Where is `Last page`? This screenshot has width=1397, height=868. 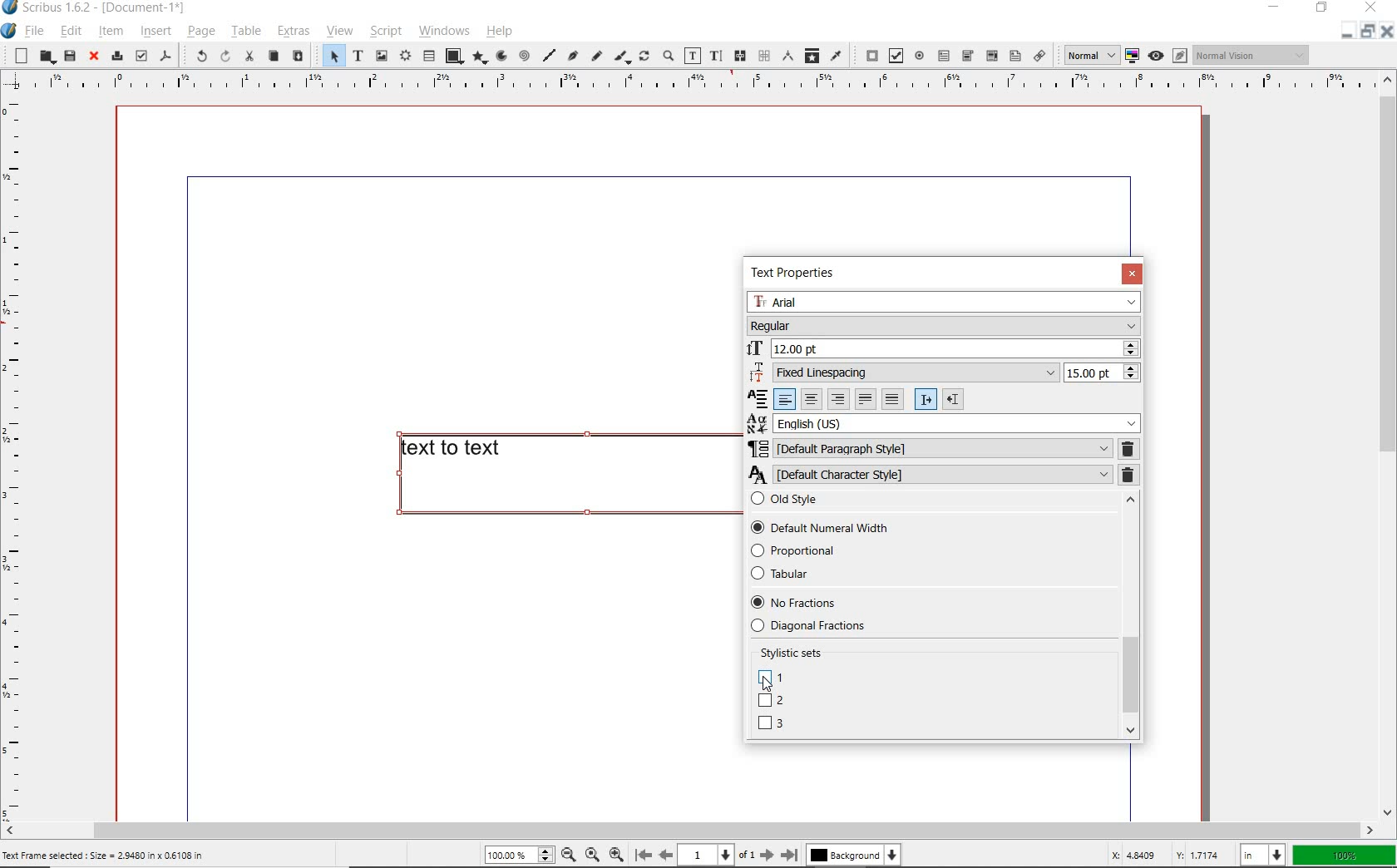 Last page is located at coordinates (787, 855).